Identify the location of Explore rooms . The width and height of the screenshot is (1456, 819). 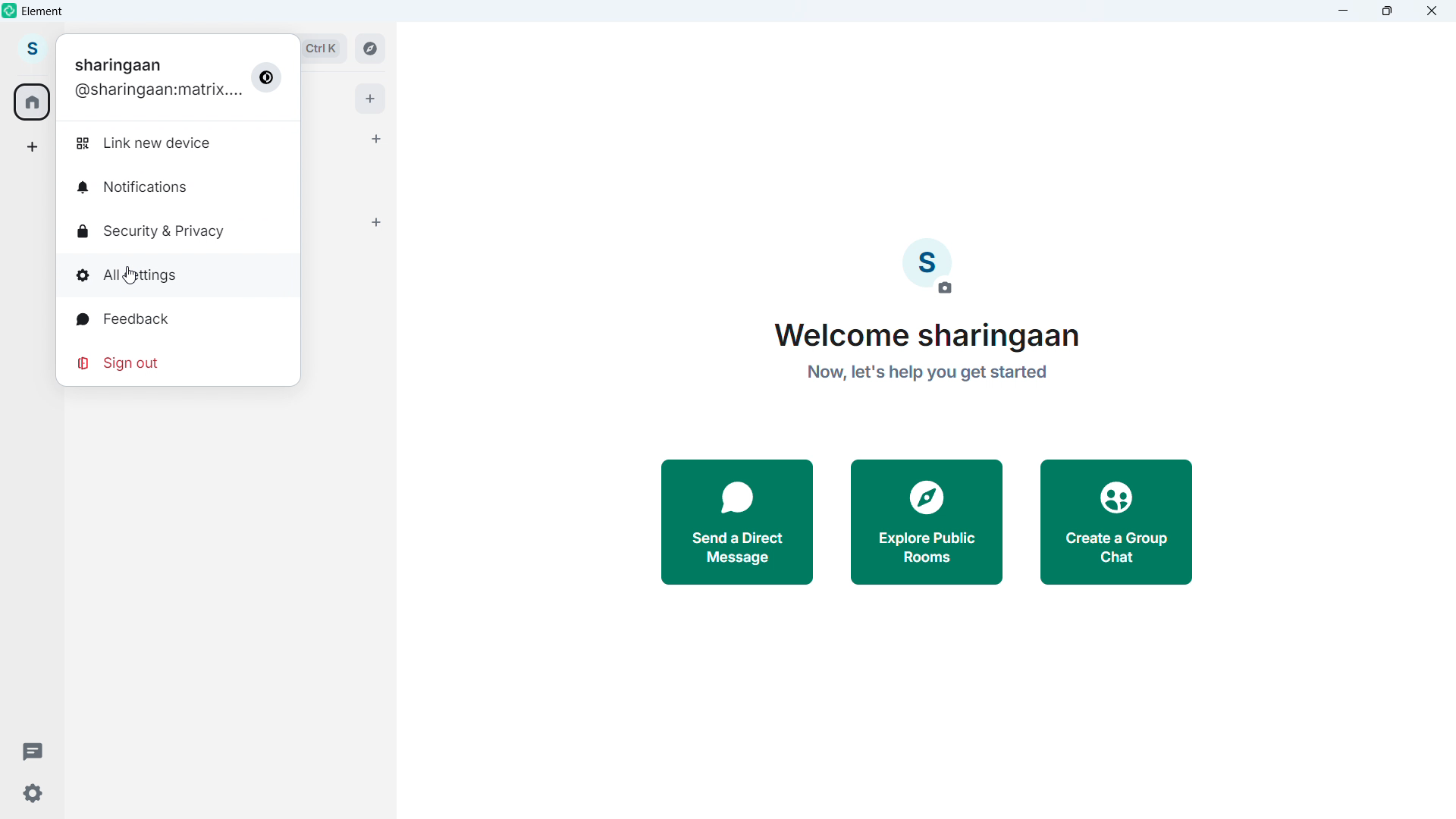
(369, 50).